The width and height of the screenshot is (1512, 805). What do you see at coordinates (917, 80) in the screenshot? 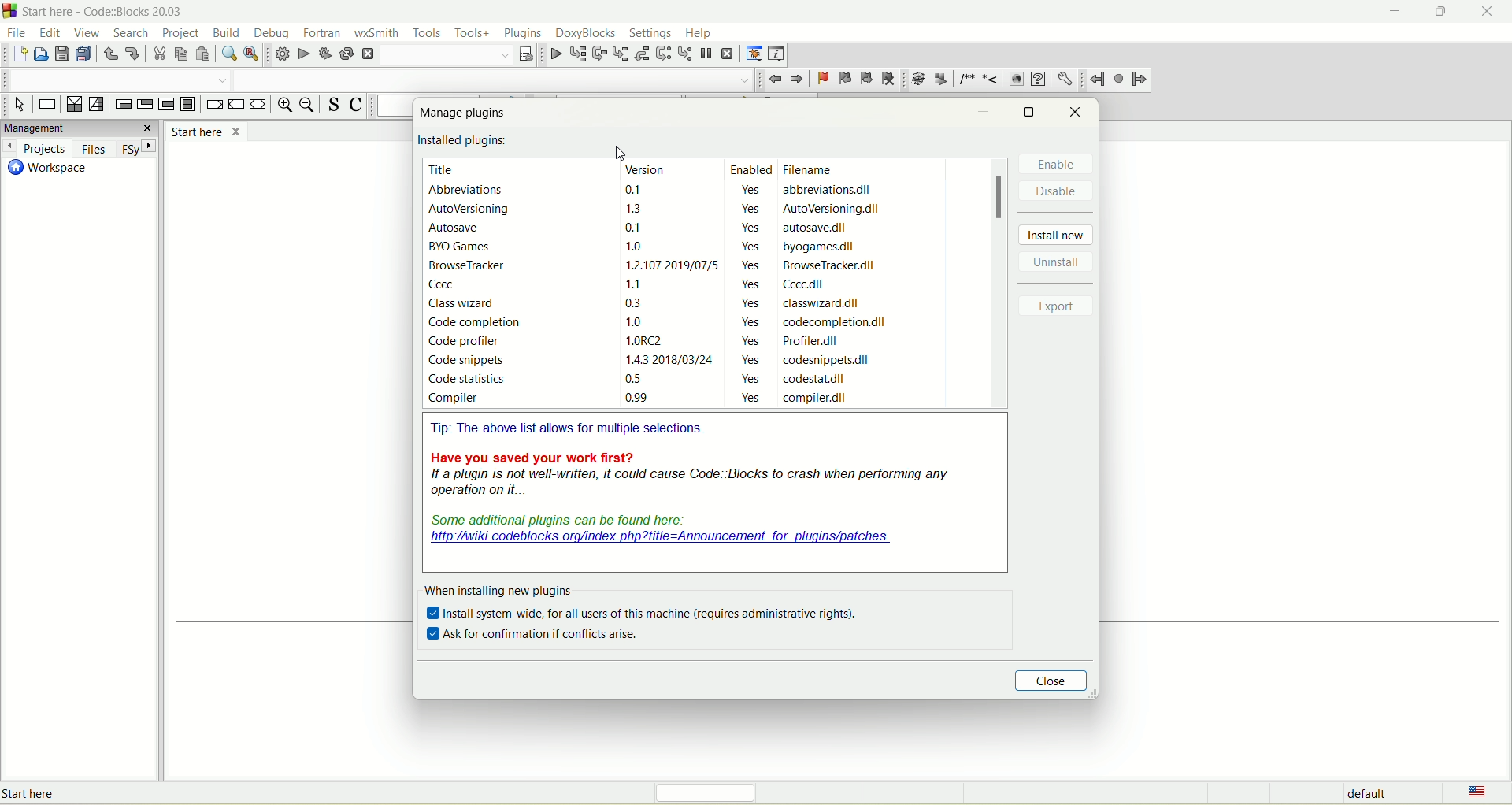
I see `Run doxywizard` at bounding box center [917, 80].